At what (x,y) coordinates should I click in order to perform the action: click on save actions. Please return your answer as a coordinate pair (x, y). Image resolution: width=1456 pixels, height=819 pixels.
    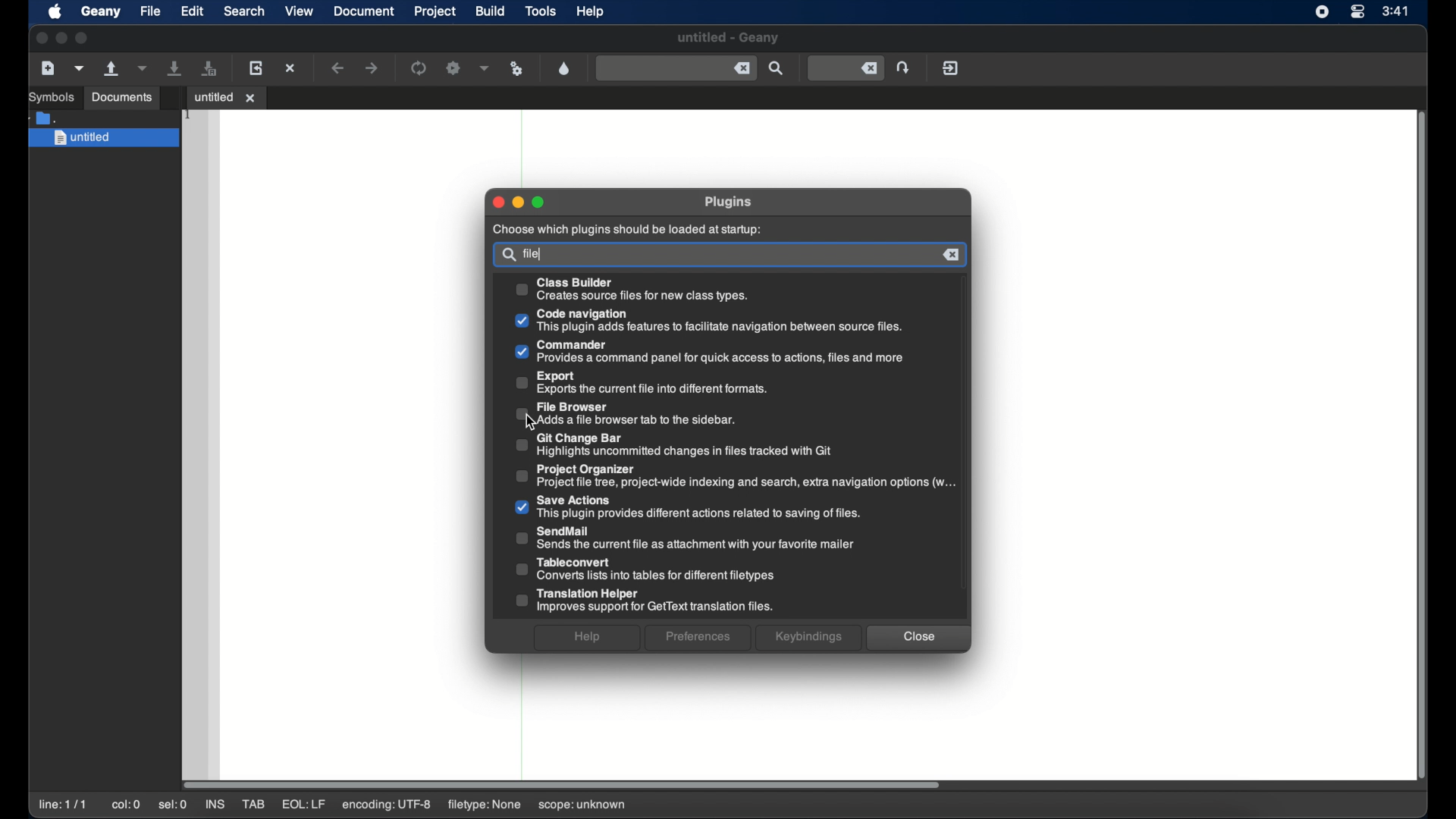
    Looking at the image, I should click on (690, 507).